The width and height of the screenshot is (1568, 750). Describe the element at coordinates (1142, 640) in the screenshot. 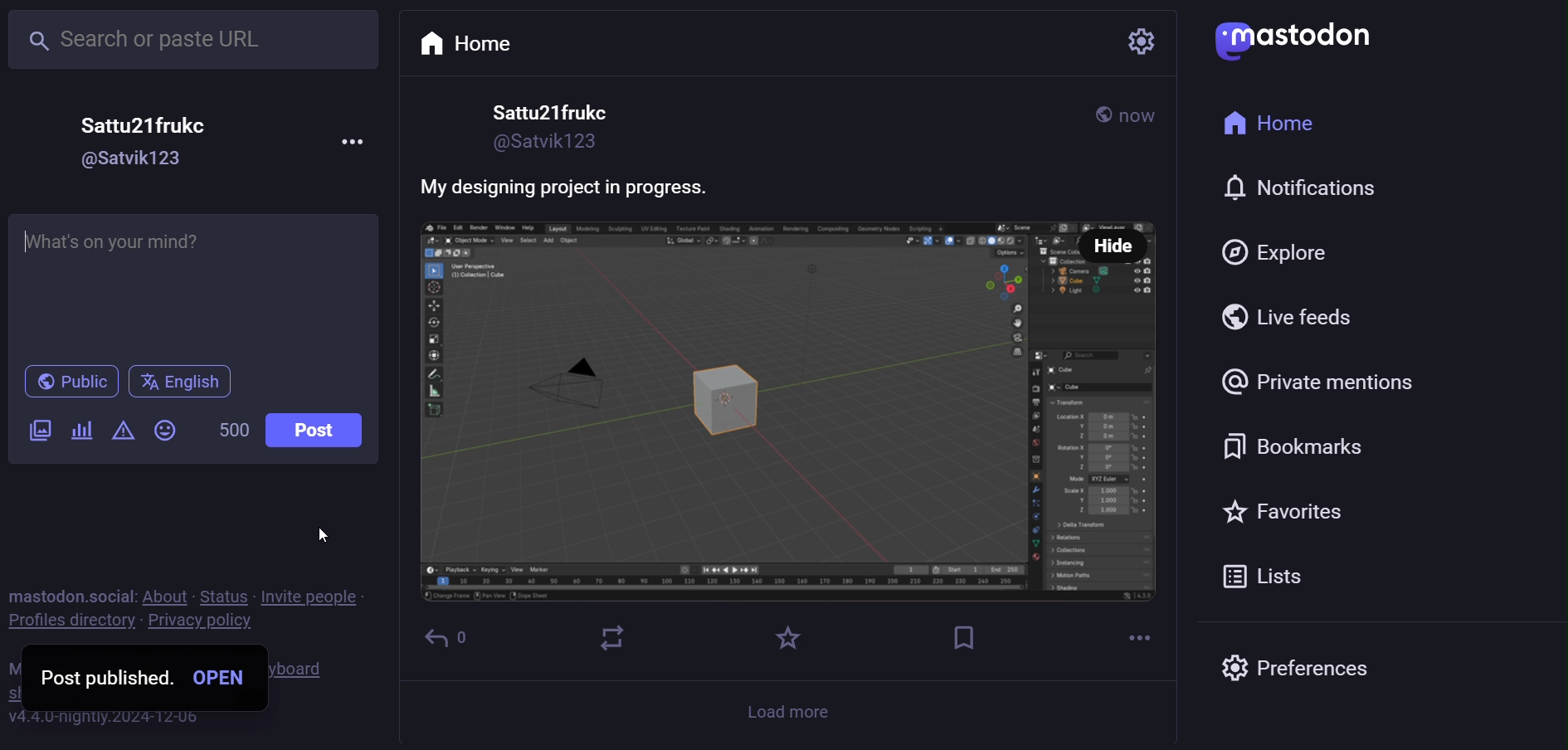

I see `more` at that location.